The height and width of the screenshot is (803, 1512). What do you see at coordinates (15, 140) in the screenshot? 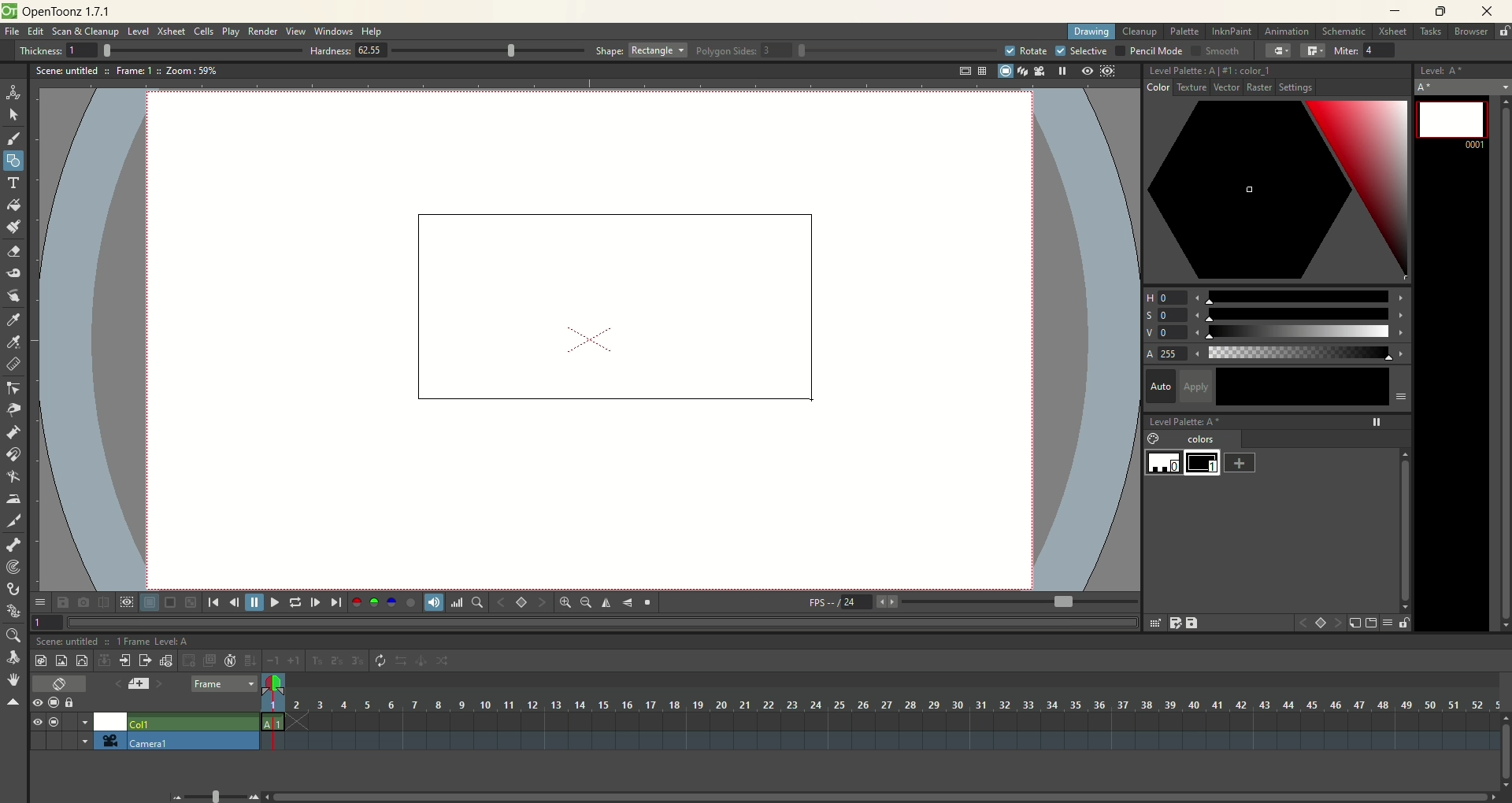
I see `brush tool` at bounding box center [15, 140].